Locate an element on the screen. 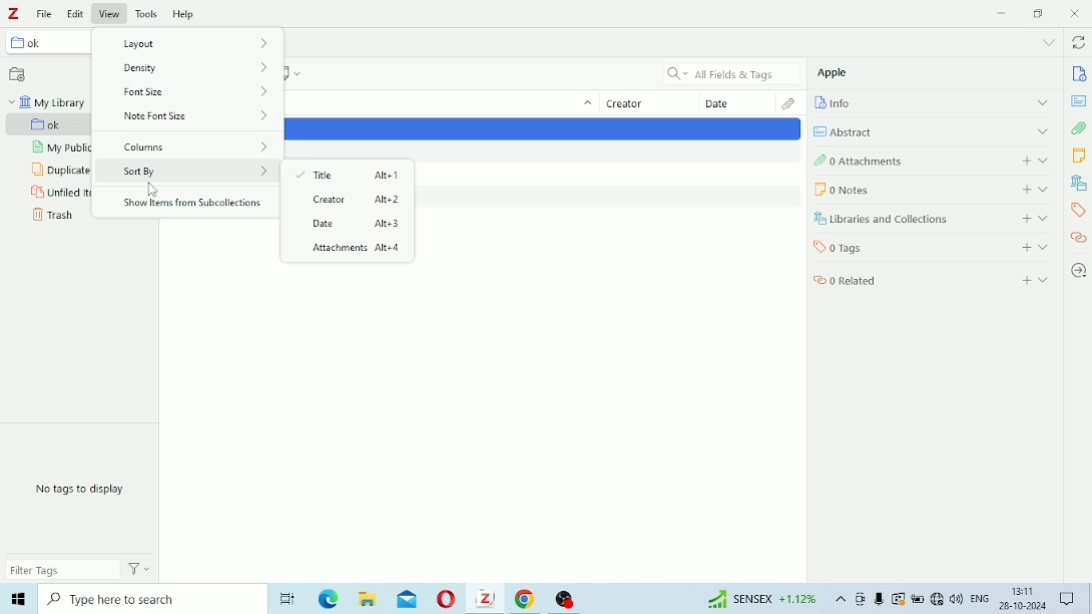 The height and width of the screenshot is (614, 1092). Attachments is located at coordinates (785, 103).